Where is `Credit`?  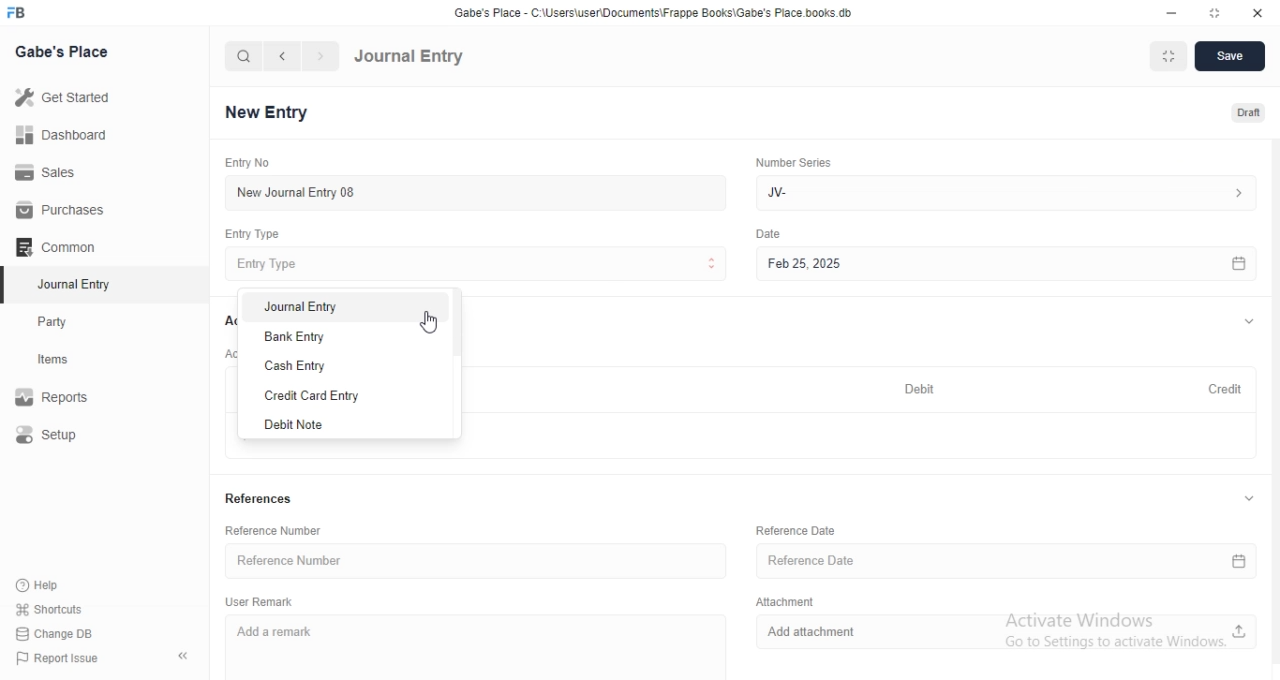 Credit is located at coordinates (1216, 389).